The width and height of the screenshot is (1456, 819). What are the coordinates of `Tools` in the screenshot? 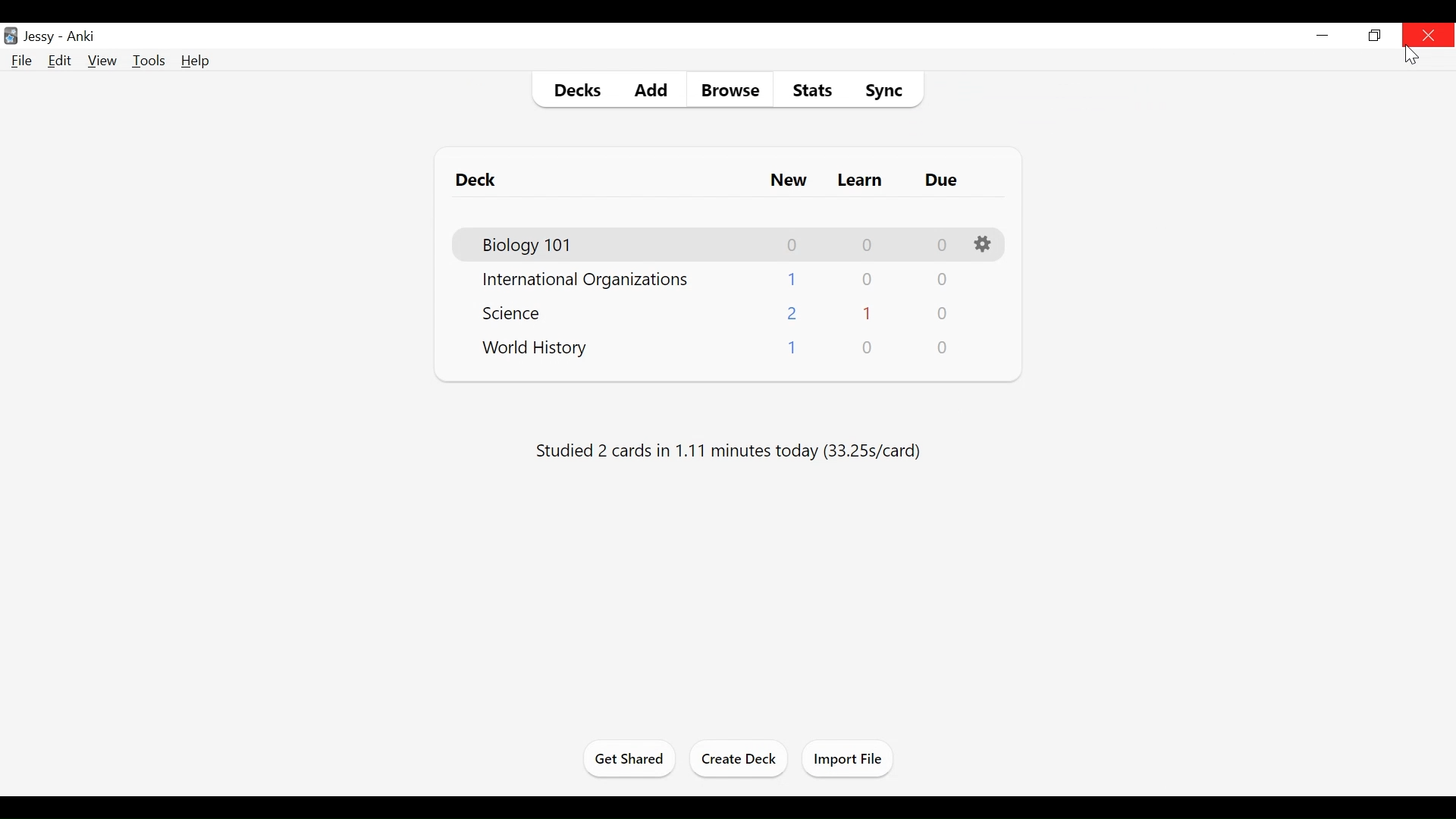 It's located at (148, 61).